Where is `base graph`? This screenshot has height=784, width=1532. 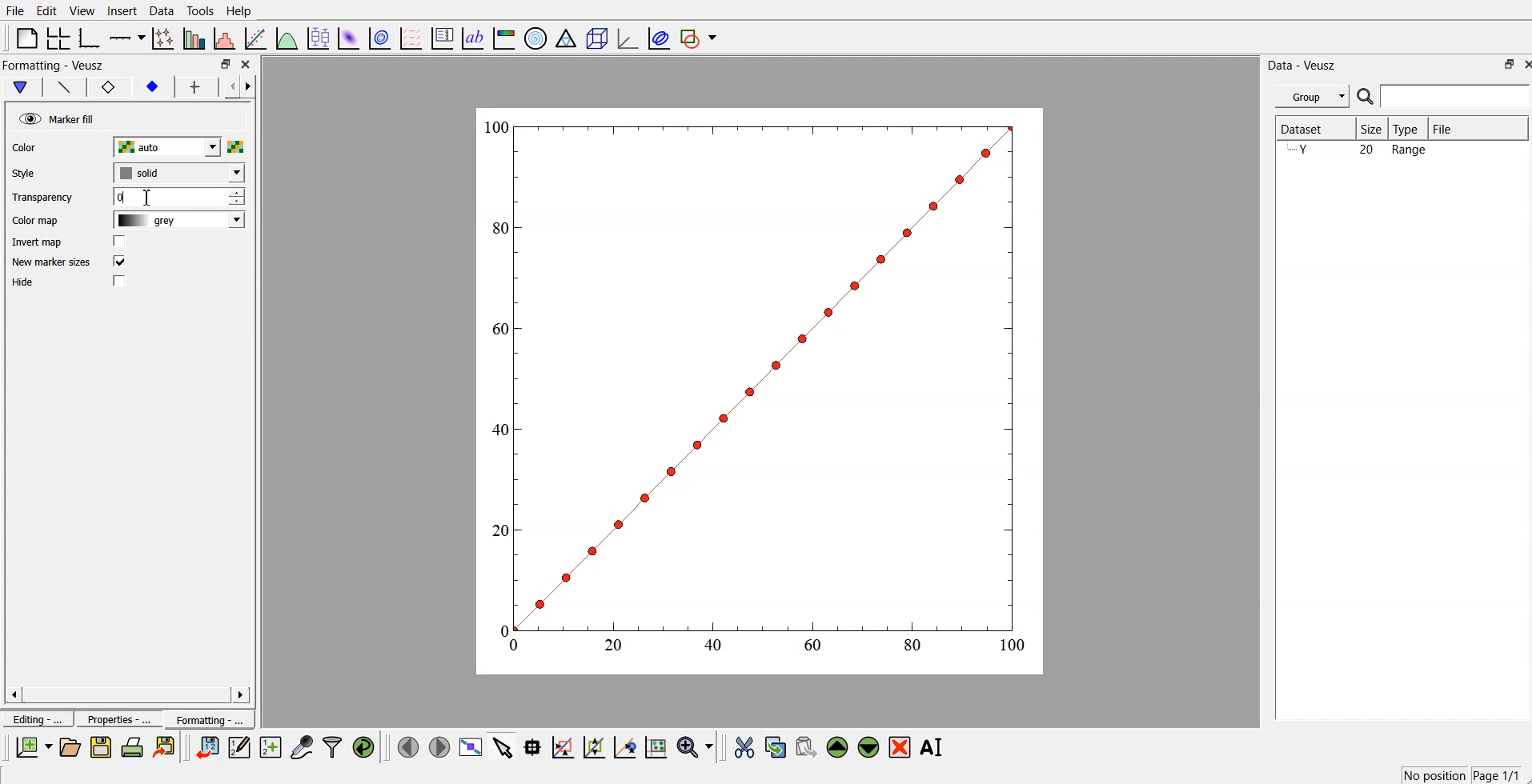
base graph is located at coordinates (90, 37).